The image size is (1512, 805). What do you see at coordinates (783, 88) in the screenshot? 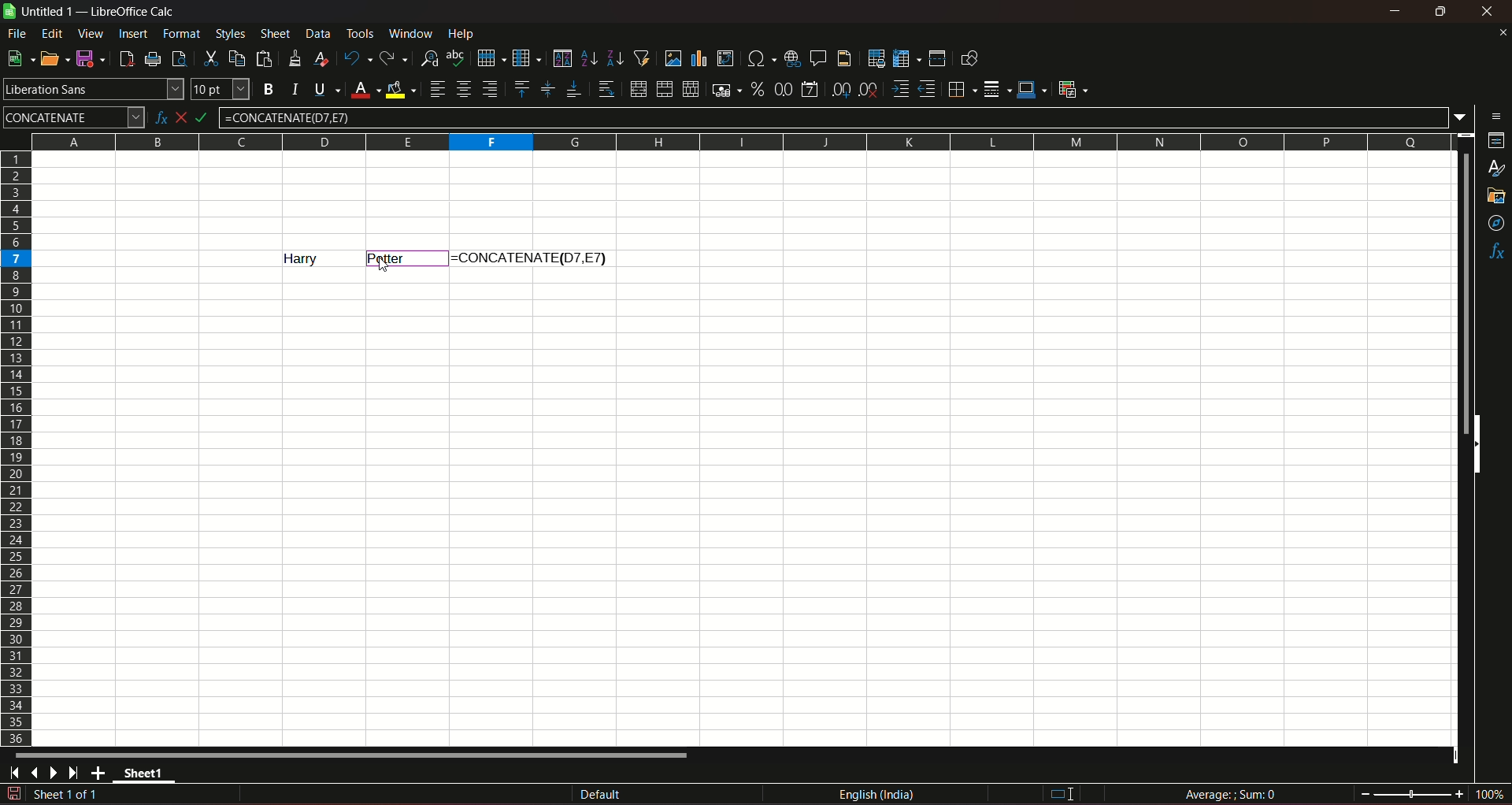
I see `format as number` at bounding box center [783, 88].